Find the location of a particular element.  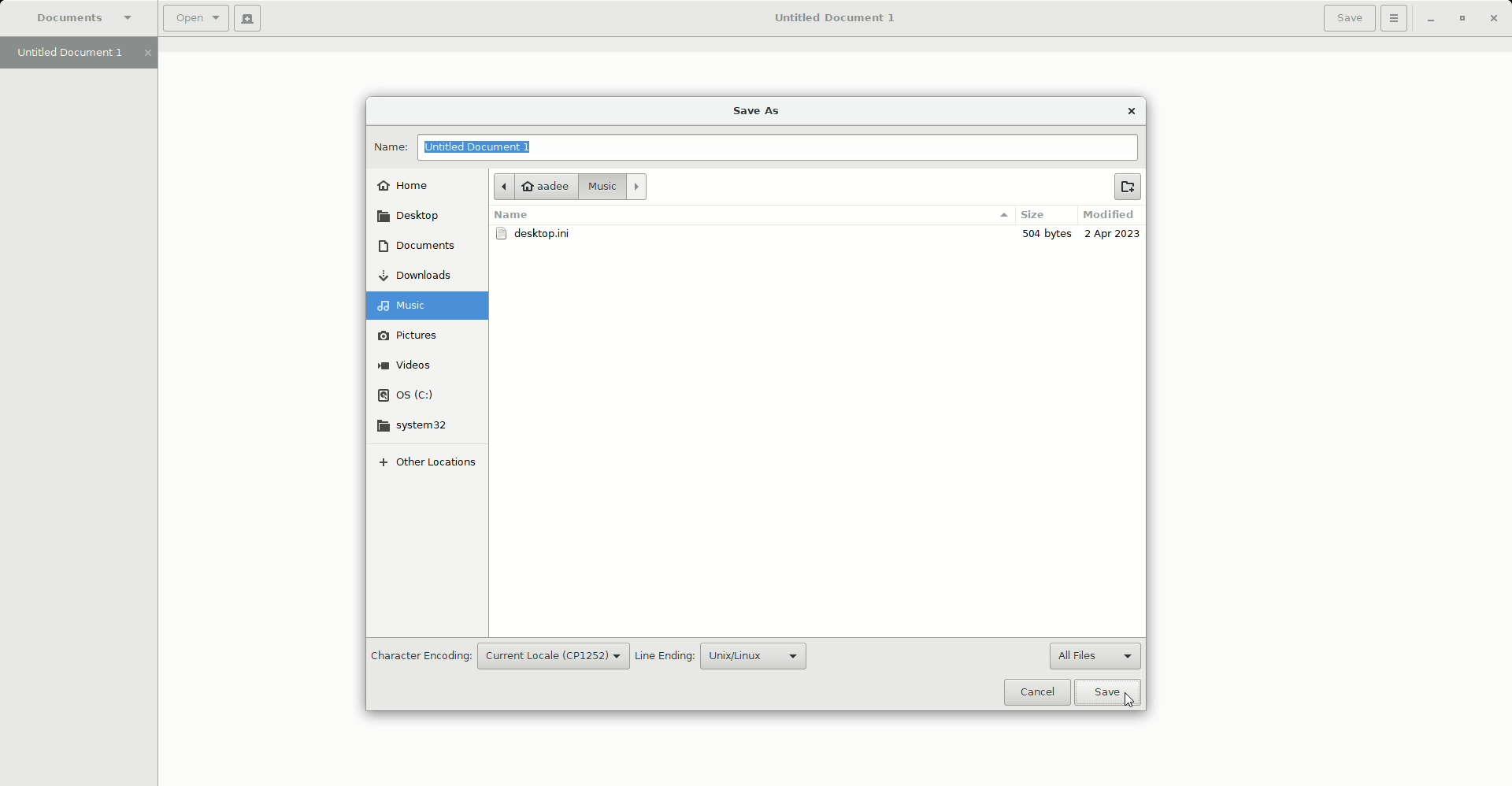

Videos is located at coordinates (428, 366).